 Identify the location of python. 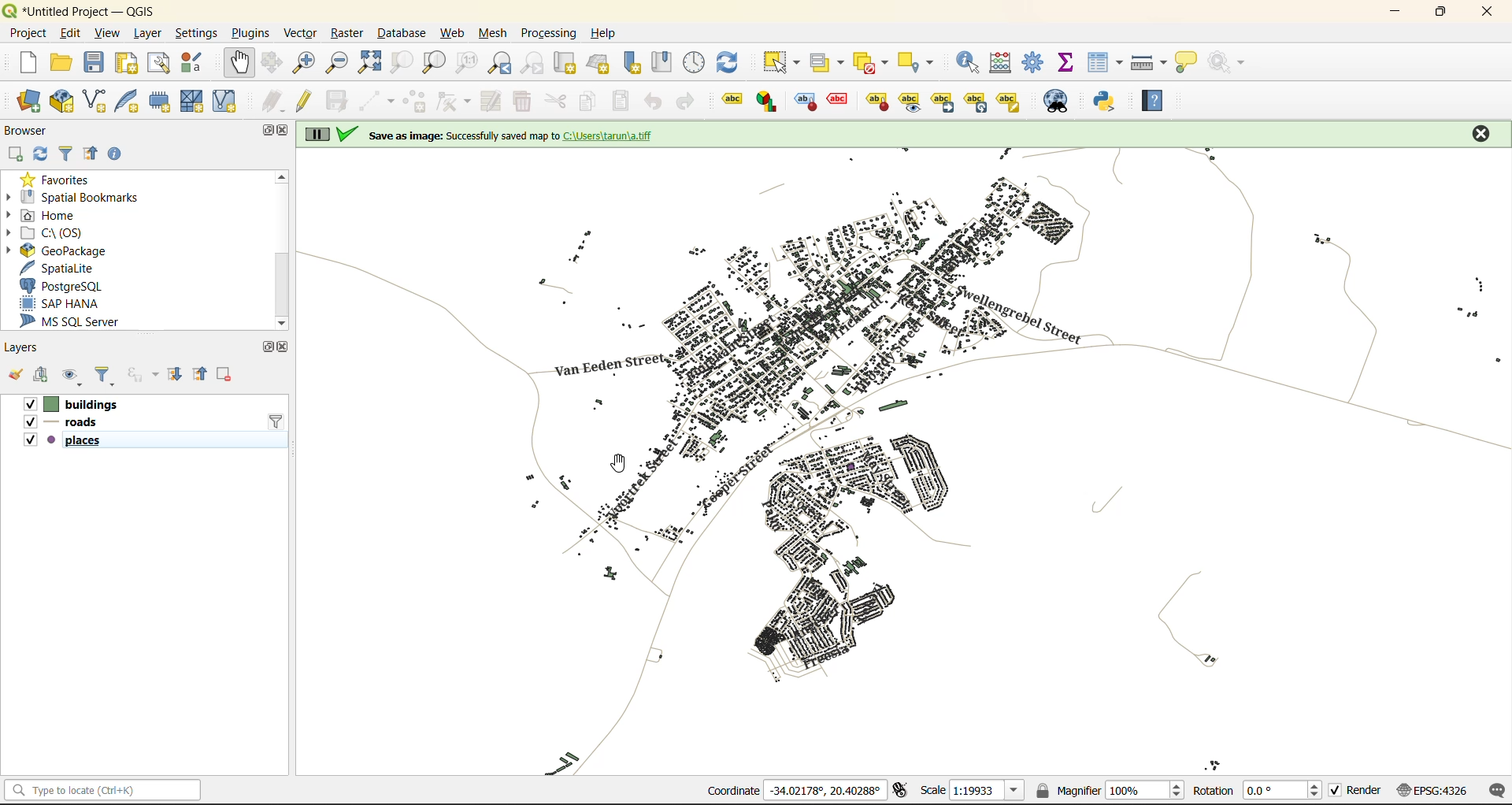
(1111, 102).